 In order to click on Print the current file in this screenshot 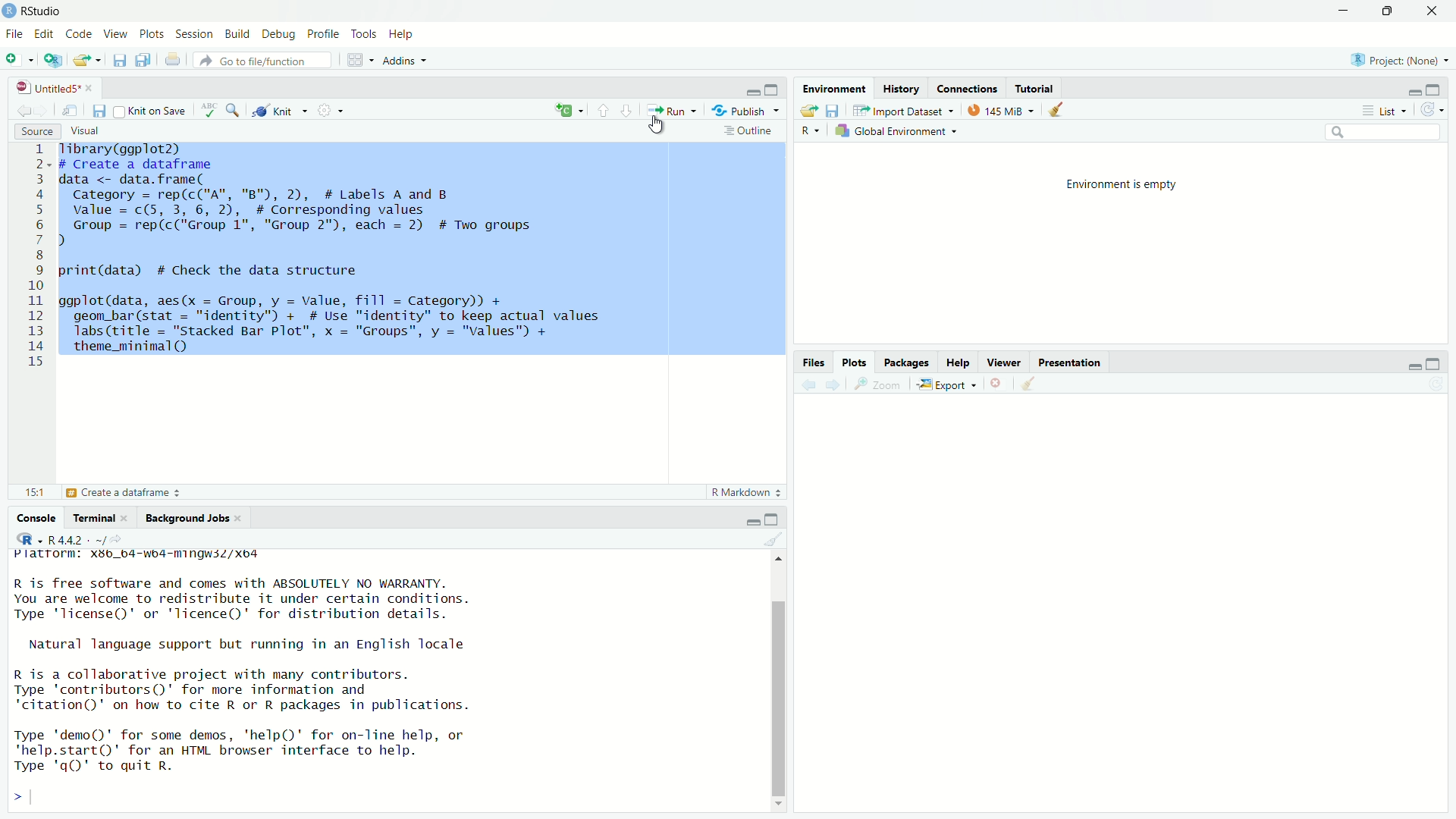, I will do `click(174, 61)`.